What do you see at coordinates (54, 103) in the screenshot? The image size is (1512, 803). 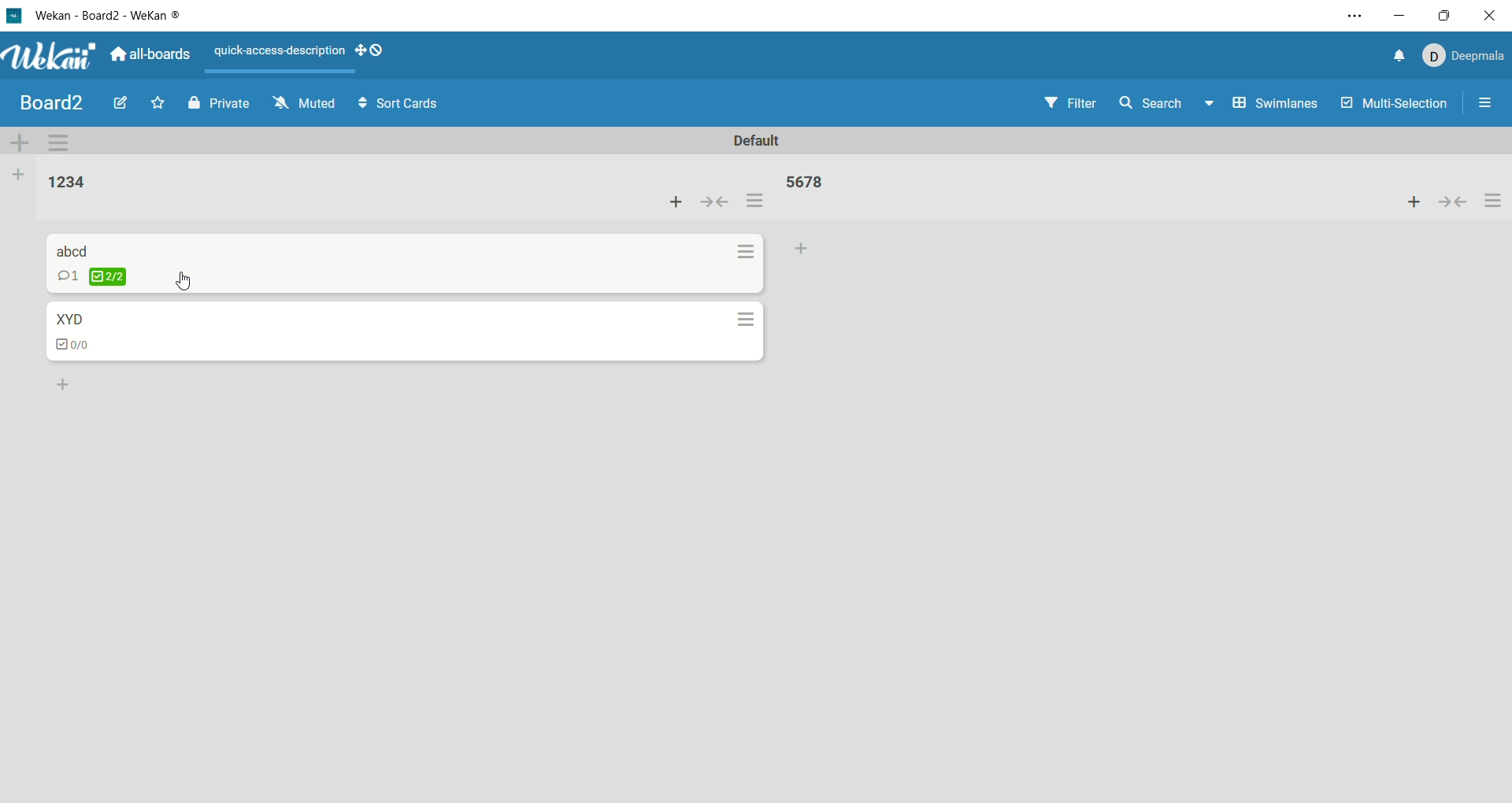 I see `board title` at bounding box center [54, 103].